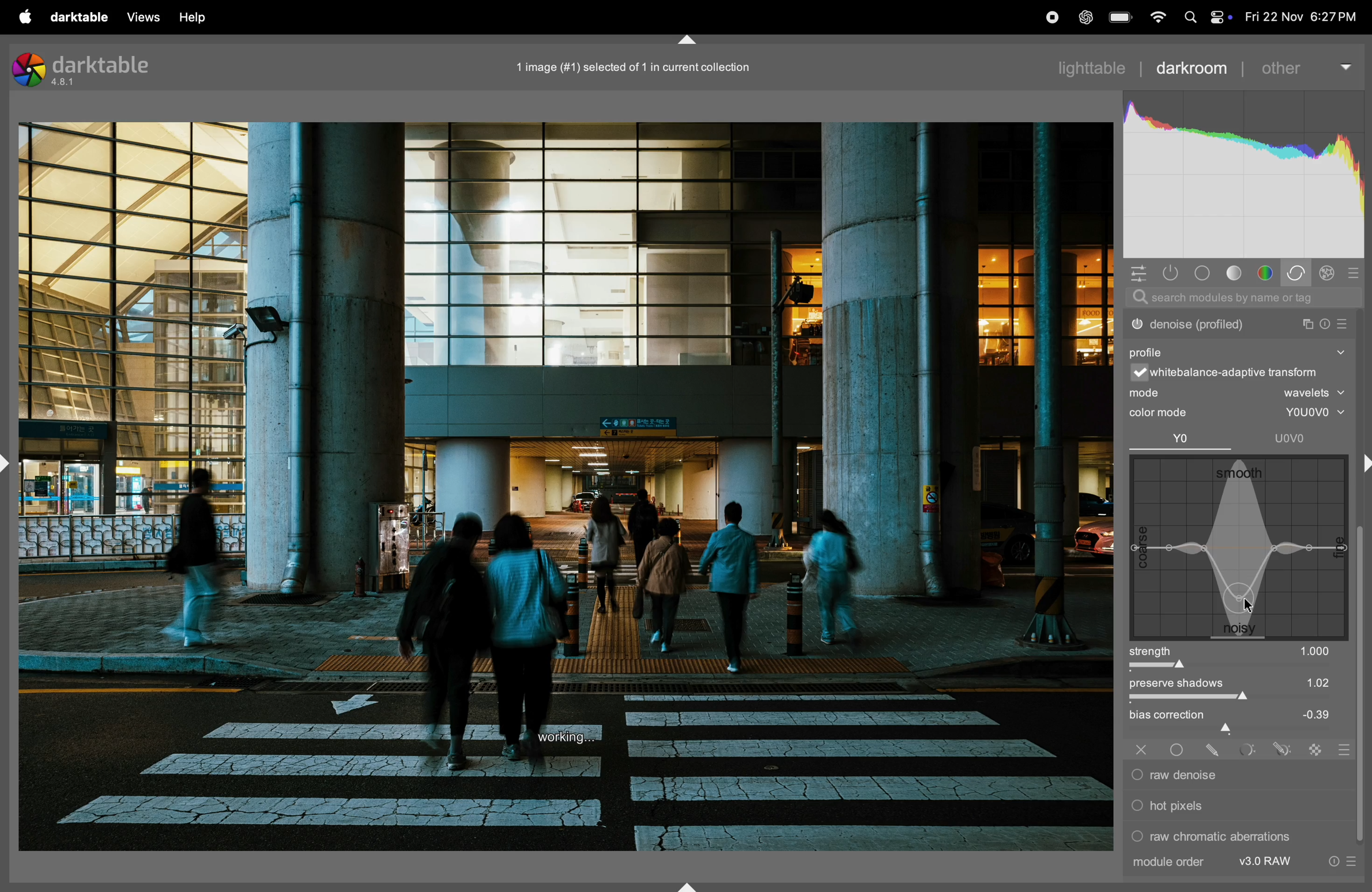 The width and height of the screenshot is (1372, 892). I want to click on show only active modes, so click(1173, 274).